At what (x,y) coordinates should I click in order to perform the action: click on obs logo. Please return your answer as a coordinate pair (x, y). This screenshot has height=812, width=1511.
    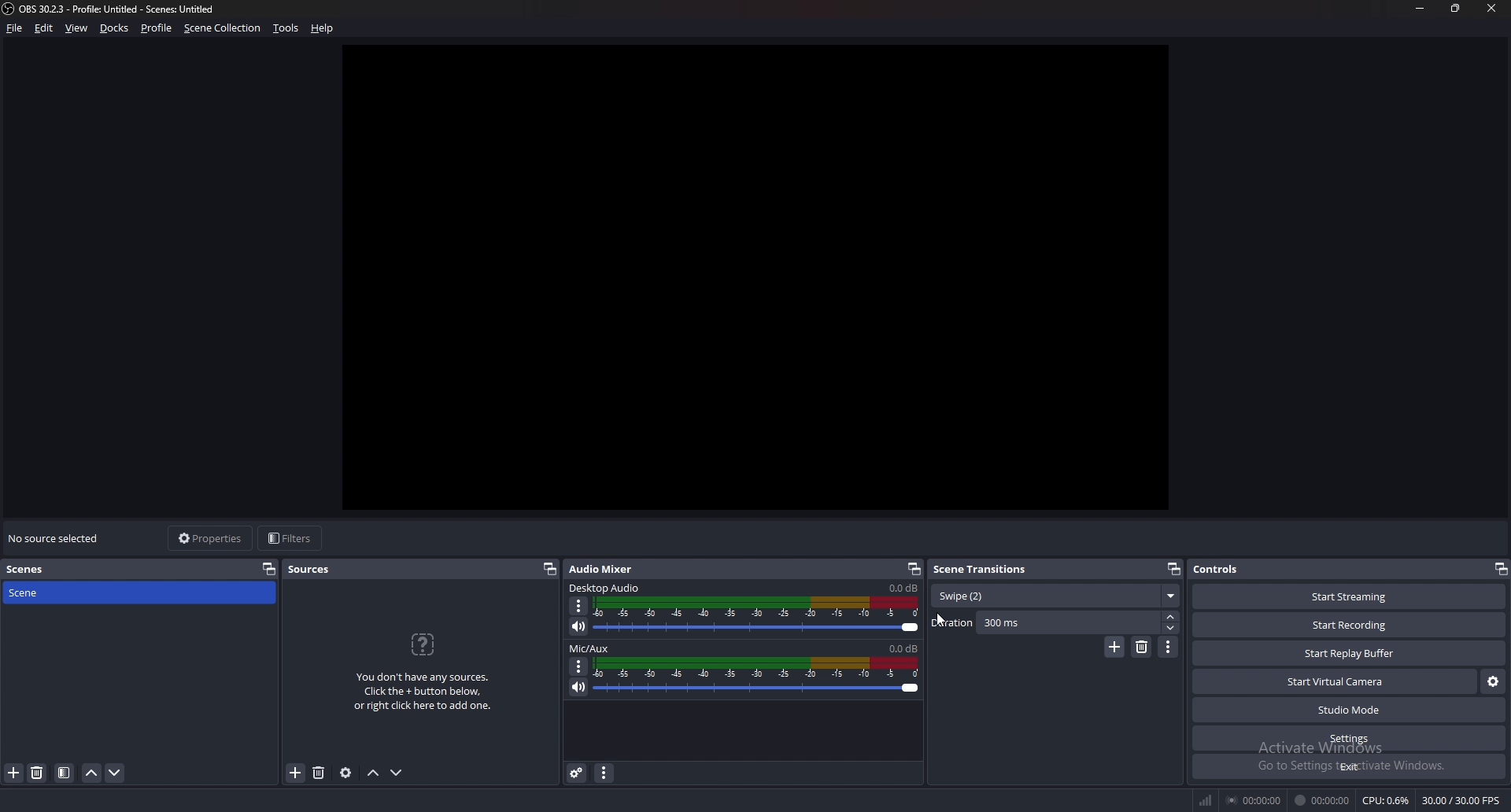
    Looking at the image, I should click on (9, 10).